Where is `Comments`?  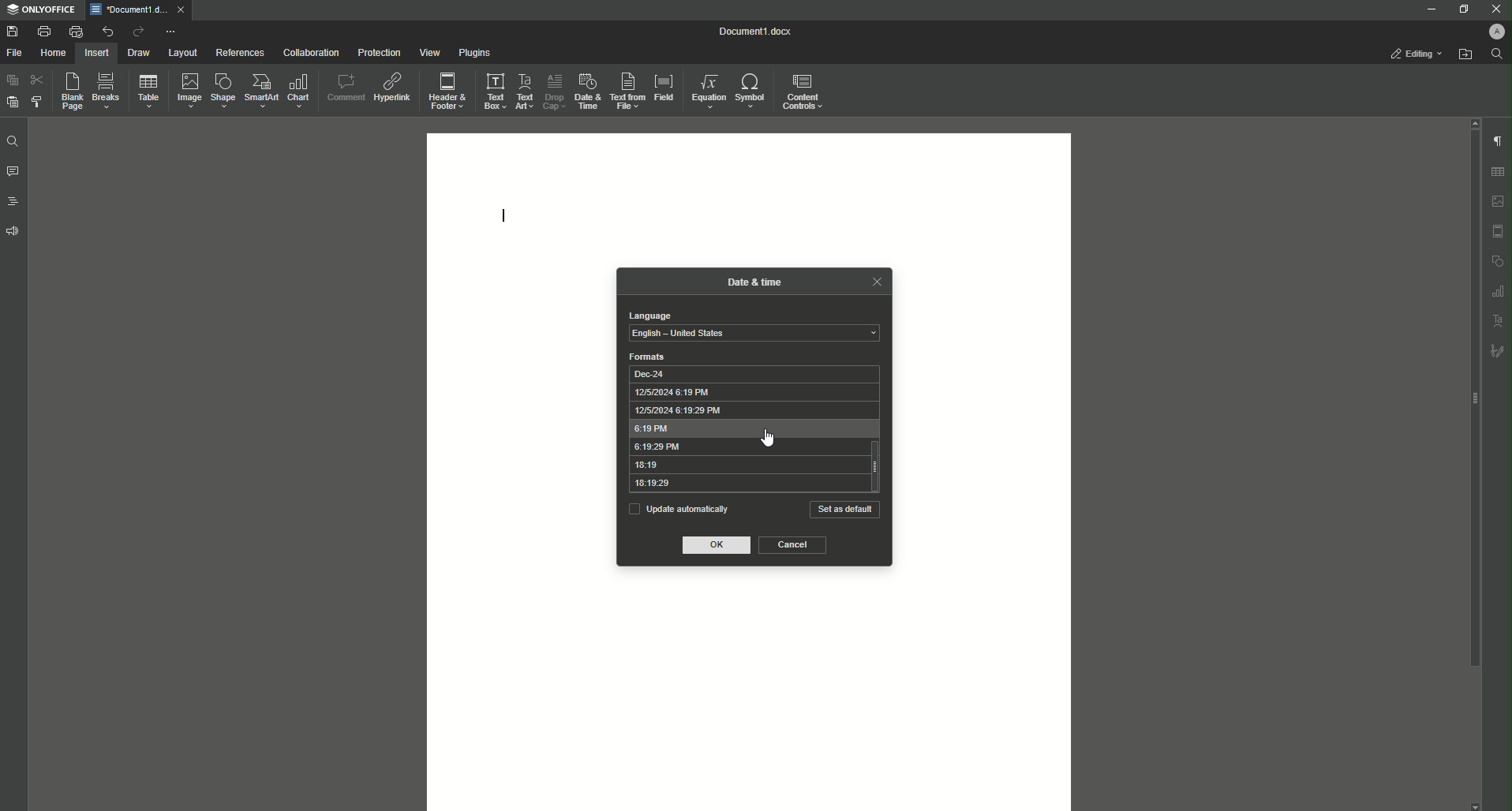
Comments is located at coordinates (13, 172).